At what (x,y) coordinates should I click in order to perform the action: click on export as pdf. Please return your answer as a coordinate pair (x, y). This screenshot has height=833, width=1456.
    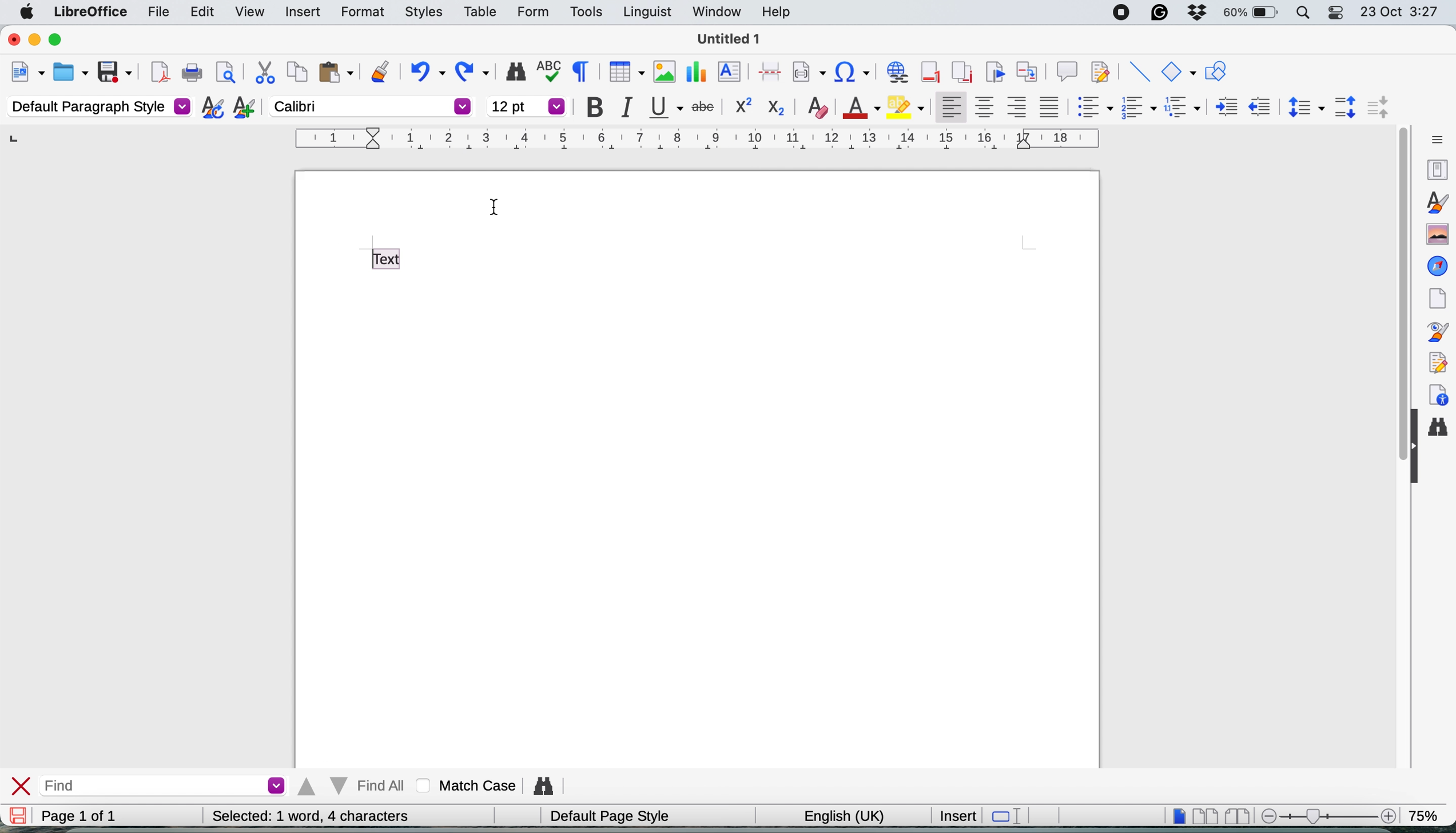
    Looking at the image, I should click on (156, 73).